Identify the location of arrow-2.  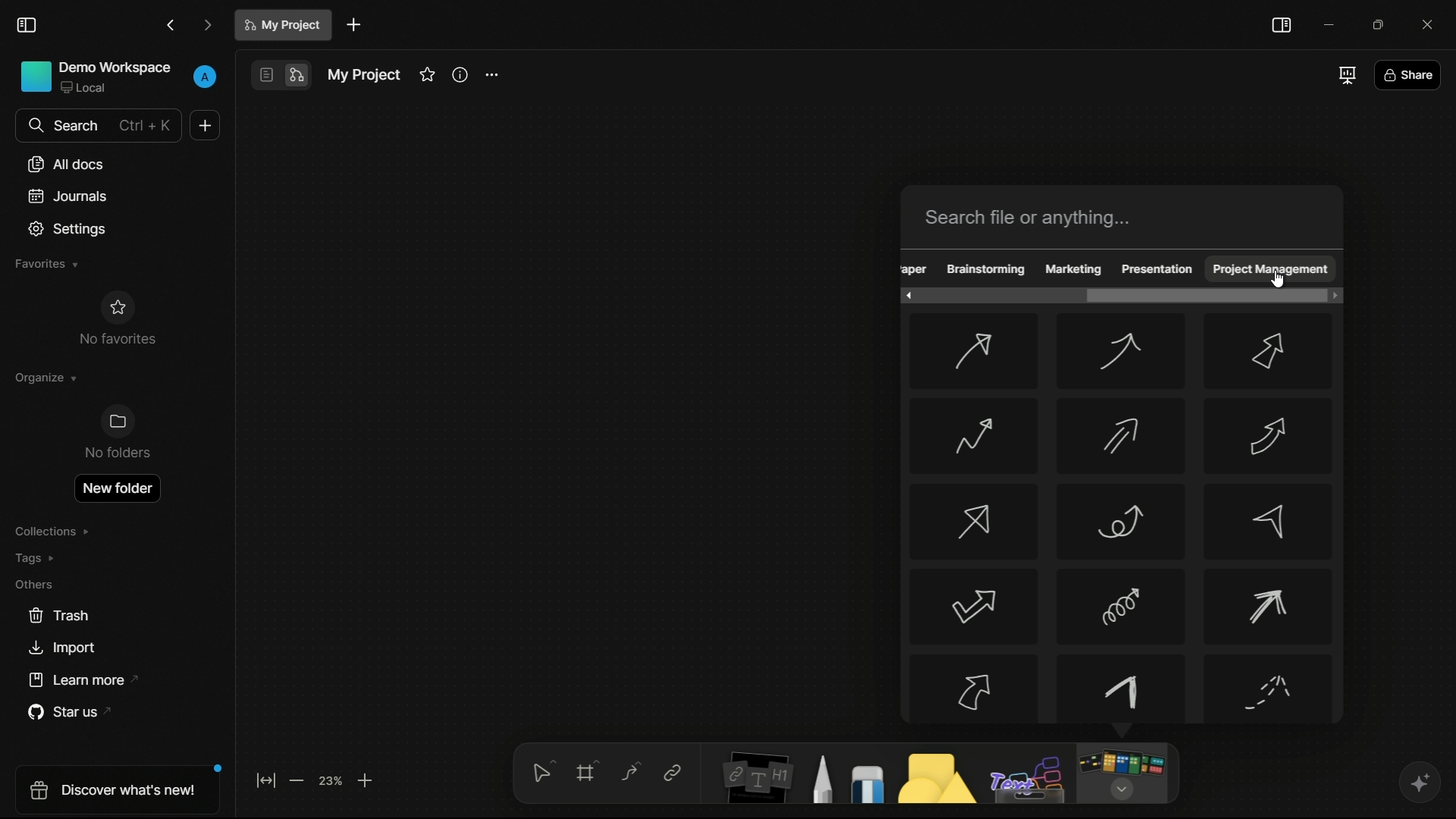
(1120, 353).